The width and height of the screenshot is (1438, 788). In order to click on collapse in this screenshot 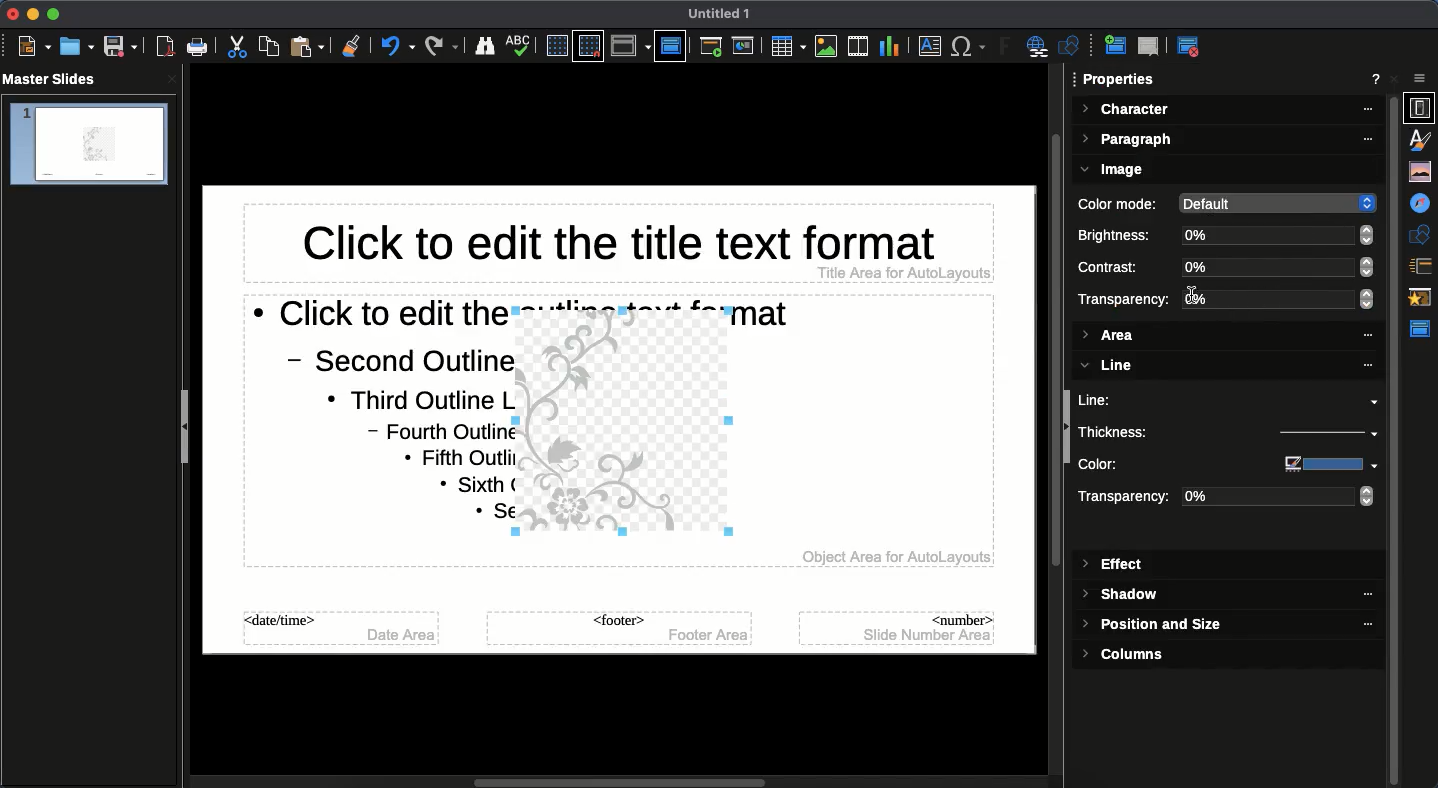, I will do `click(1067, 429)`.